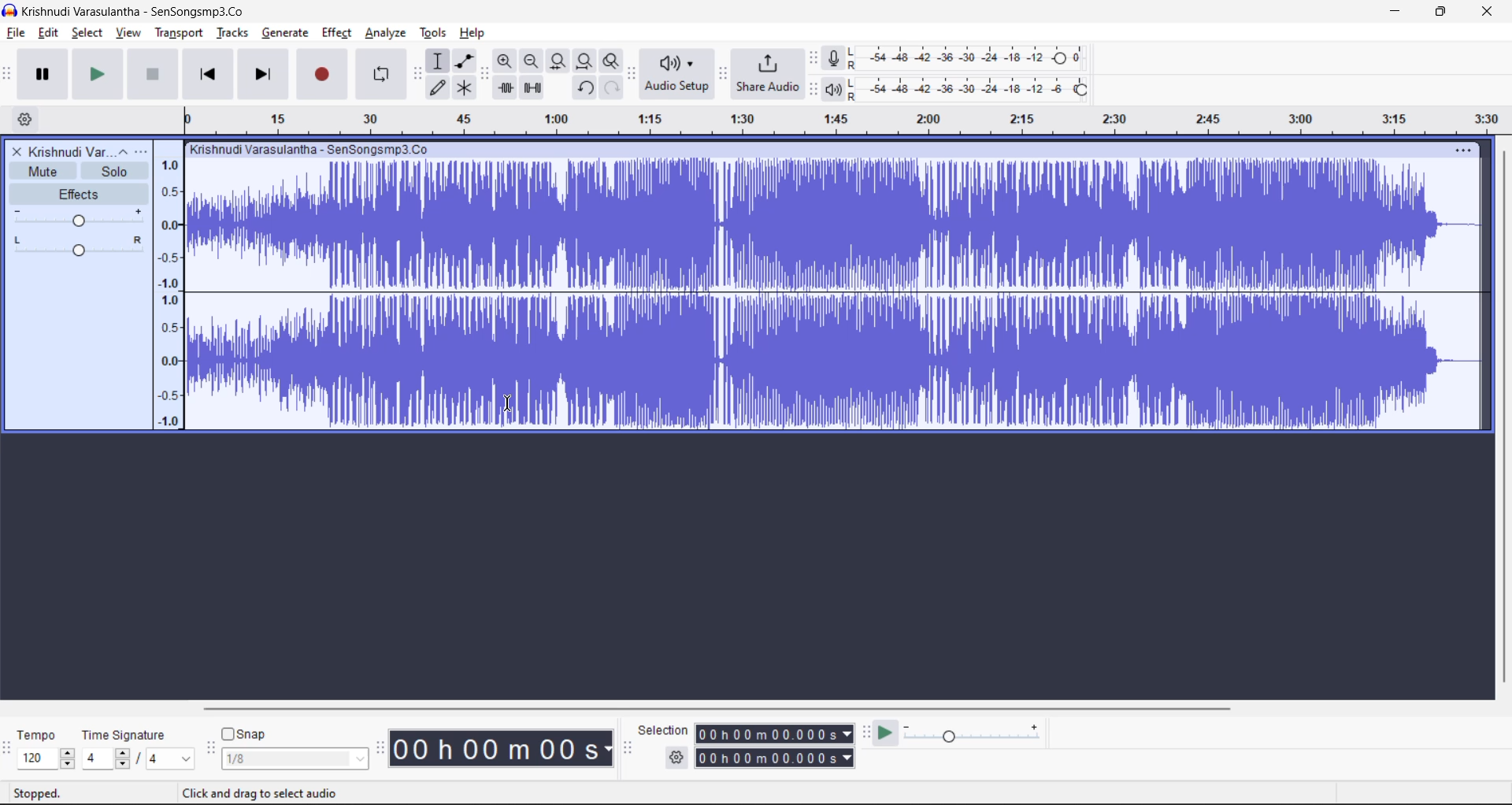 This screenshot has height=805, width=1512. I want to click on recording meter tool bar, so click(814, 59).